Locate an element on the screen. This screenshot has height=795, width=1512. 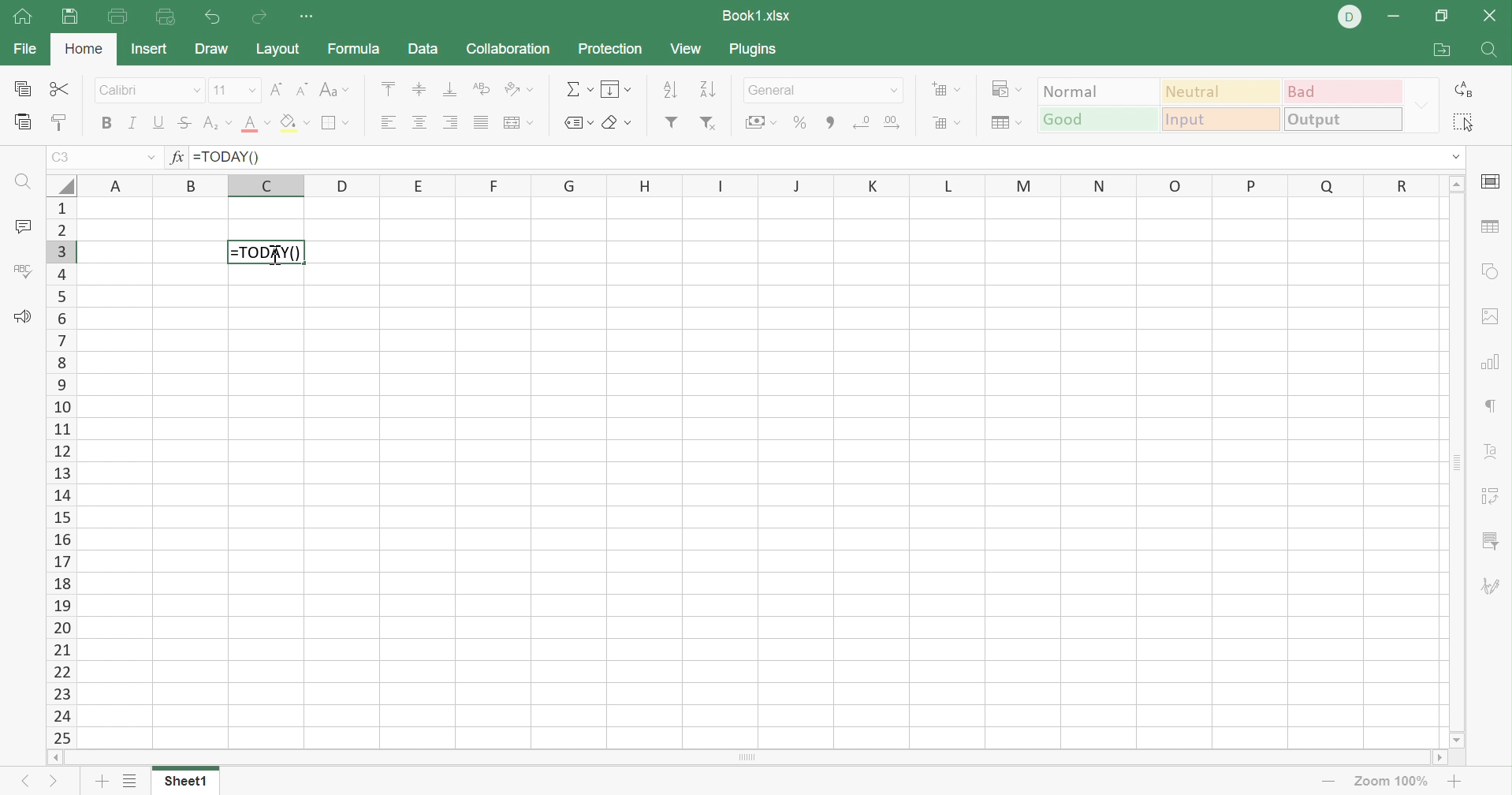
Quick Print is located at coordinates (167, 20).